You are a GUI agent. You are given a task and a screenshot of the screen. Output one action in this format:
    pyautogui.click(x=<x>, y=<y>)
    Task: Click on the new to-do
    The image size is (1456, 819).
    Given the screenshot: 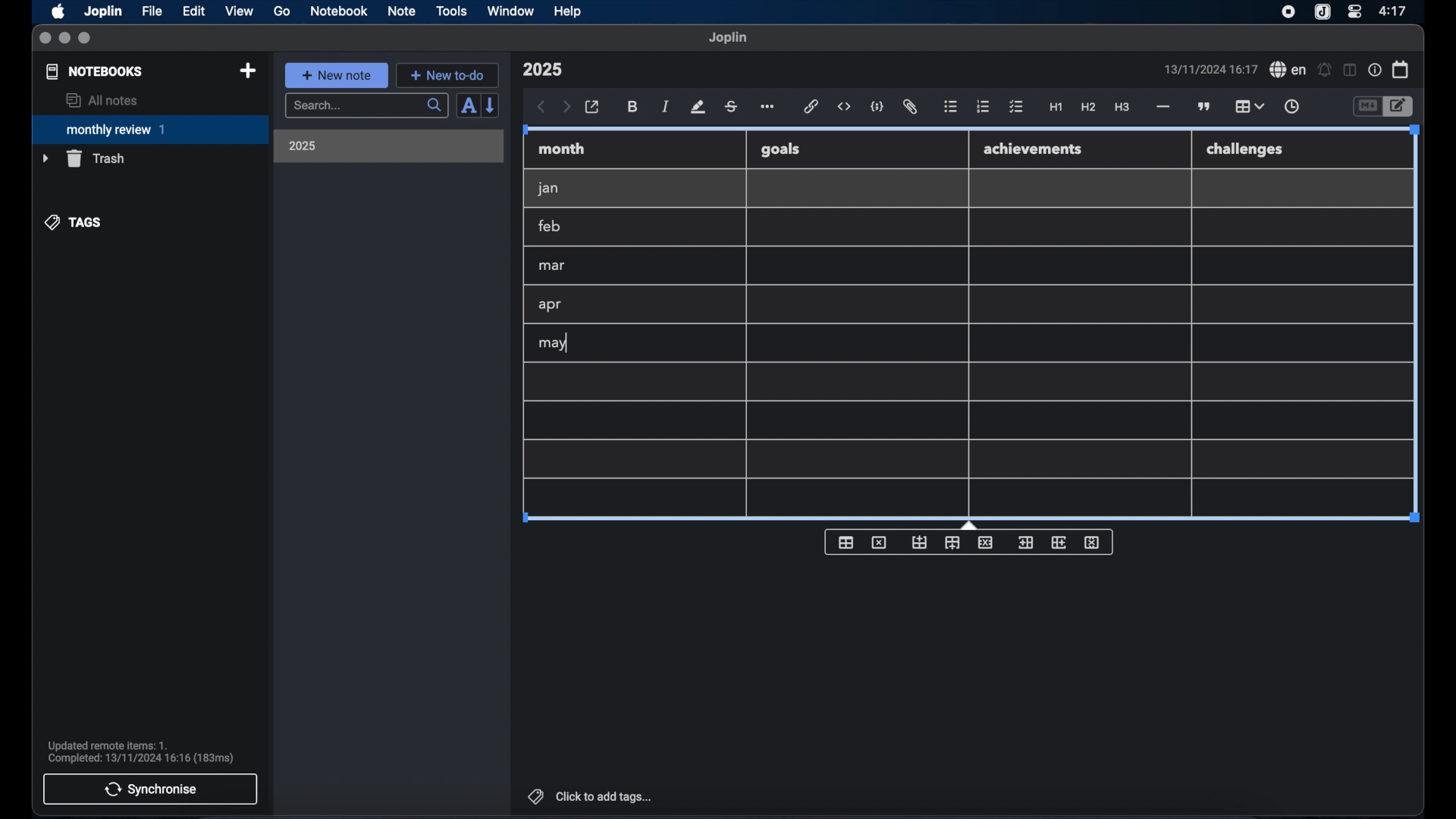 What is the action you would take?
    pyautogui.click(x=448, y=75)
    